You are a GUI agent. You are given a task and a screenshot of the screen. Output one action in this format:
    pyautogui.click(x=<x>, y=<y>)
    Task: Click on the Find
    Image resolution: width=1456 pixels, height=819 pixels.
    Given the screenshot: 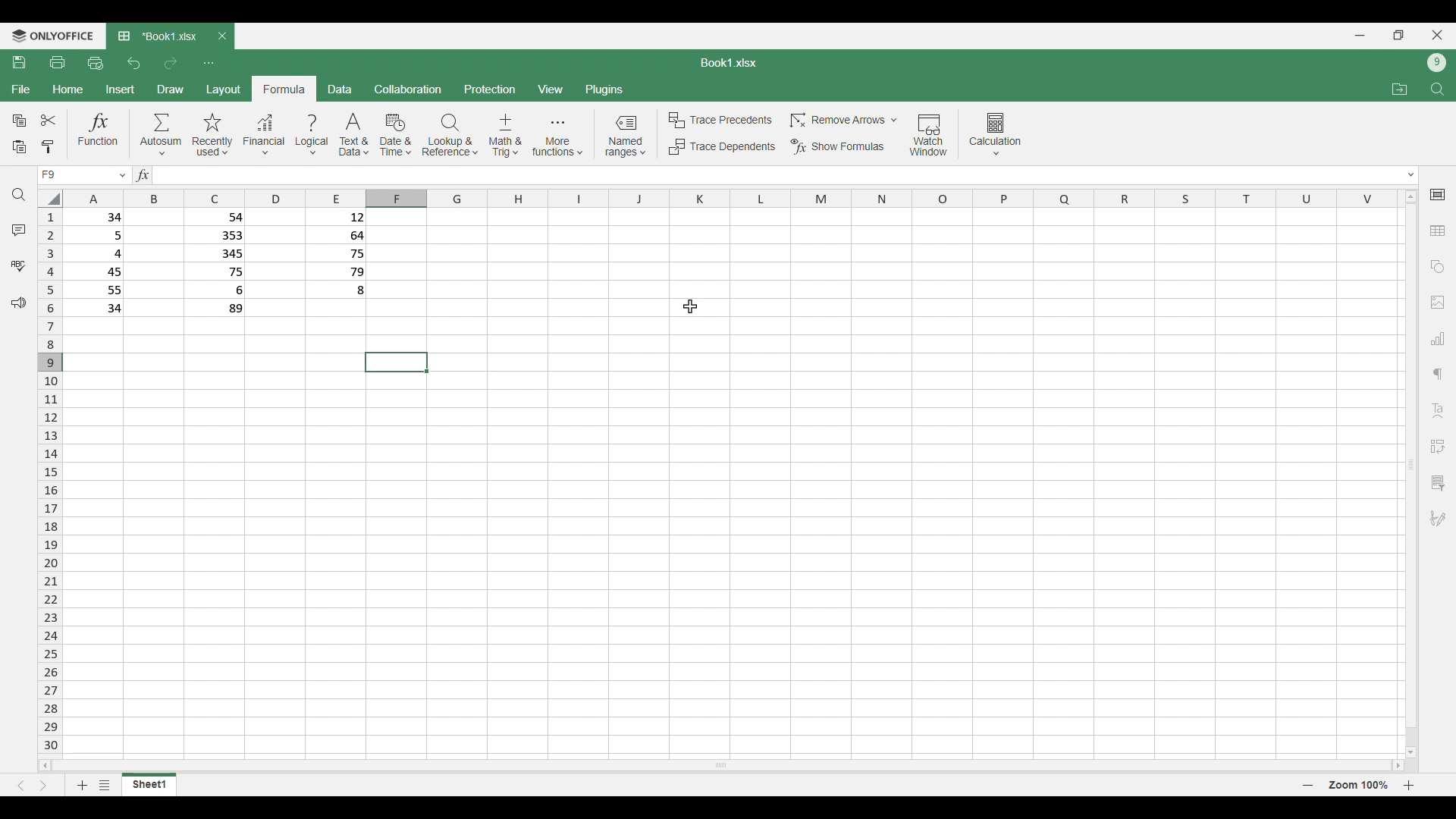 What is the action you would take?
    pyautogui.click(x=19, y=195)
    